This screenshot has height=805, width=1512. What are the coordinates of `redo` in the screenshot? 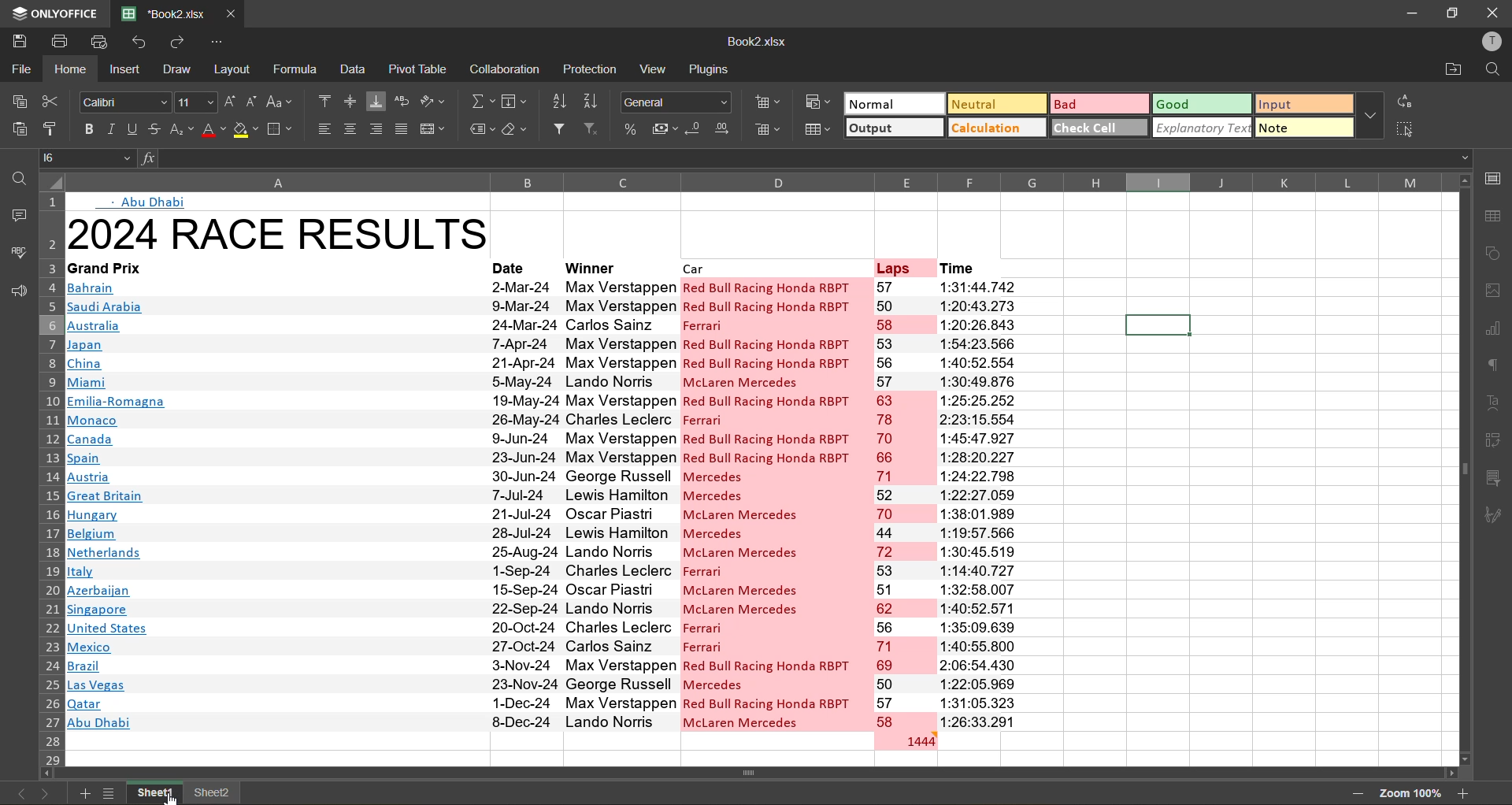 It's located at (183, 42).